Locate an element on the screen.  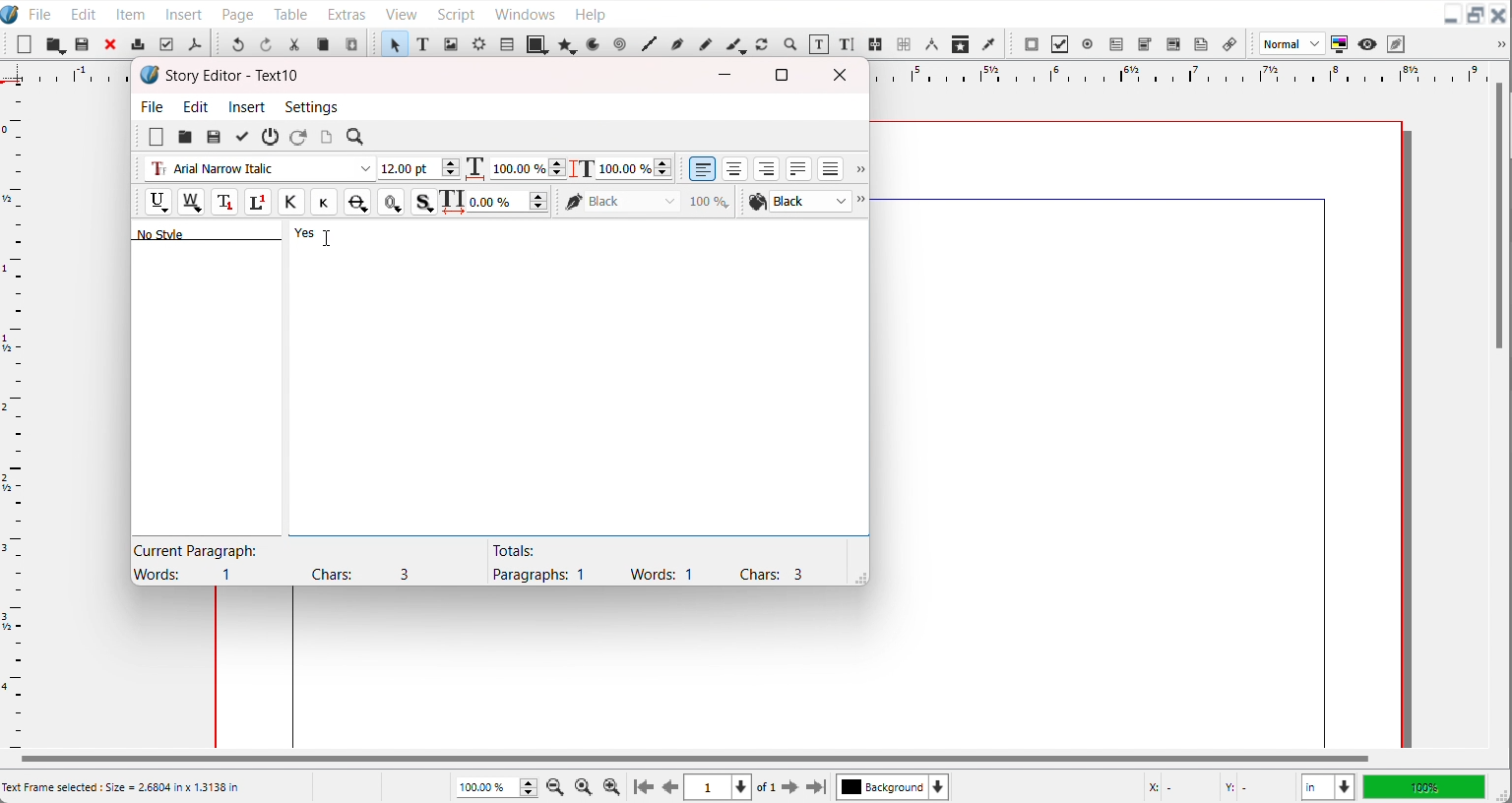
Spiral is located at coordinates (618, 44).